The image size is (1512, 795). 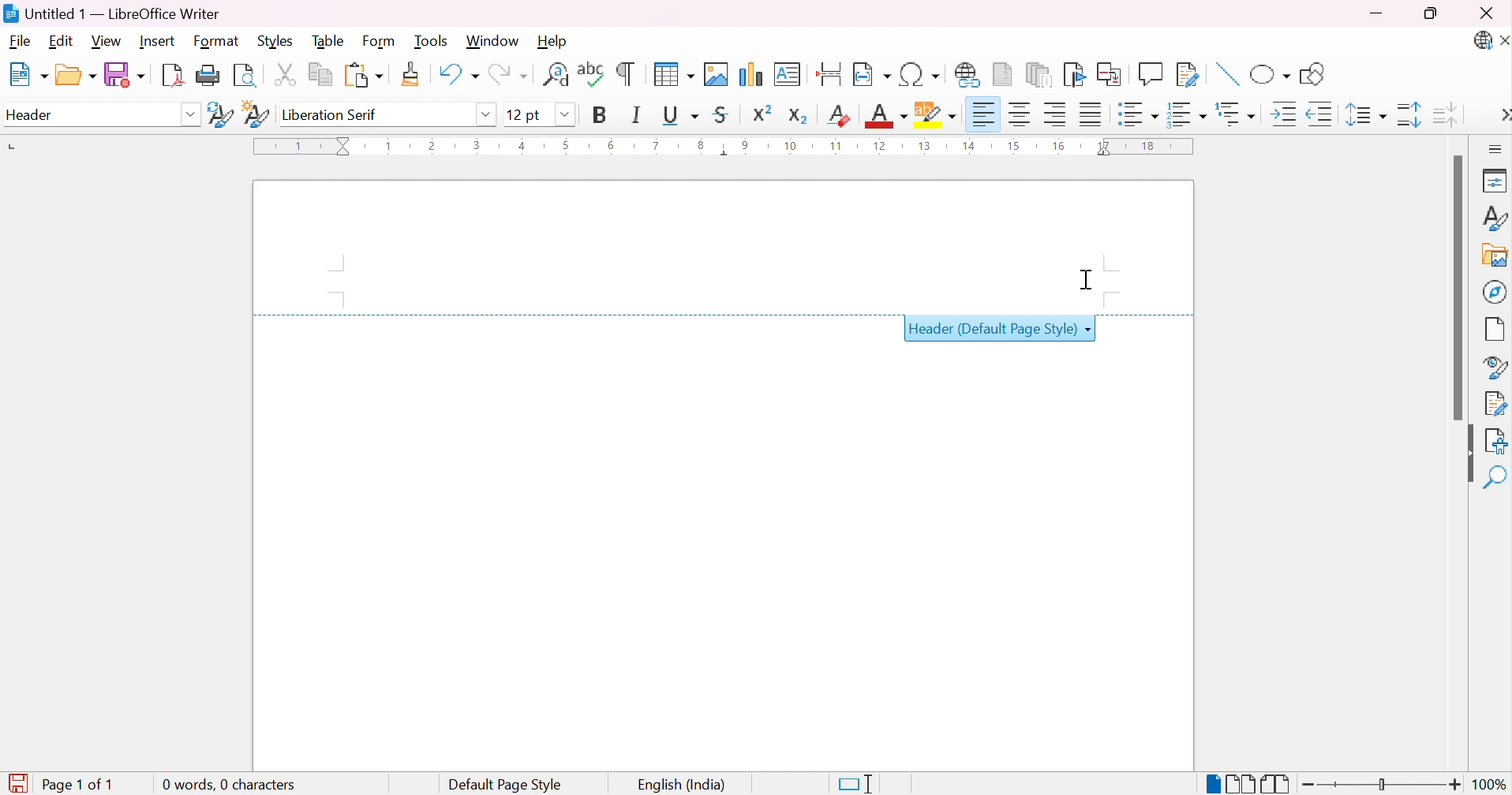 What do you see at coordinates (1490, 785) in the screenshot?
I see `100%` at bounding box center [1490, 785].